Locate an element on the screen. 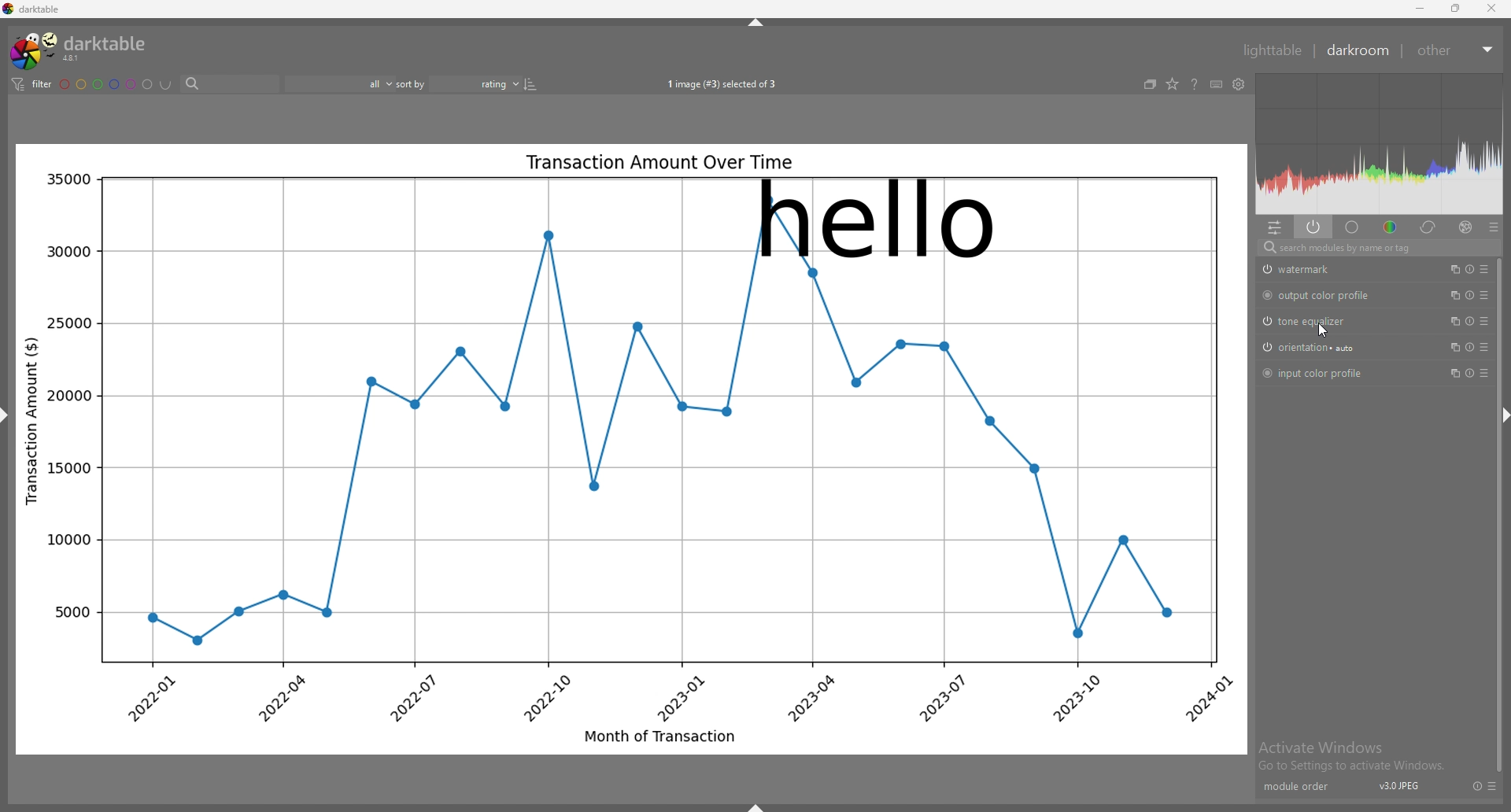  35000 is located at coordinates (68, 179).